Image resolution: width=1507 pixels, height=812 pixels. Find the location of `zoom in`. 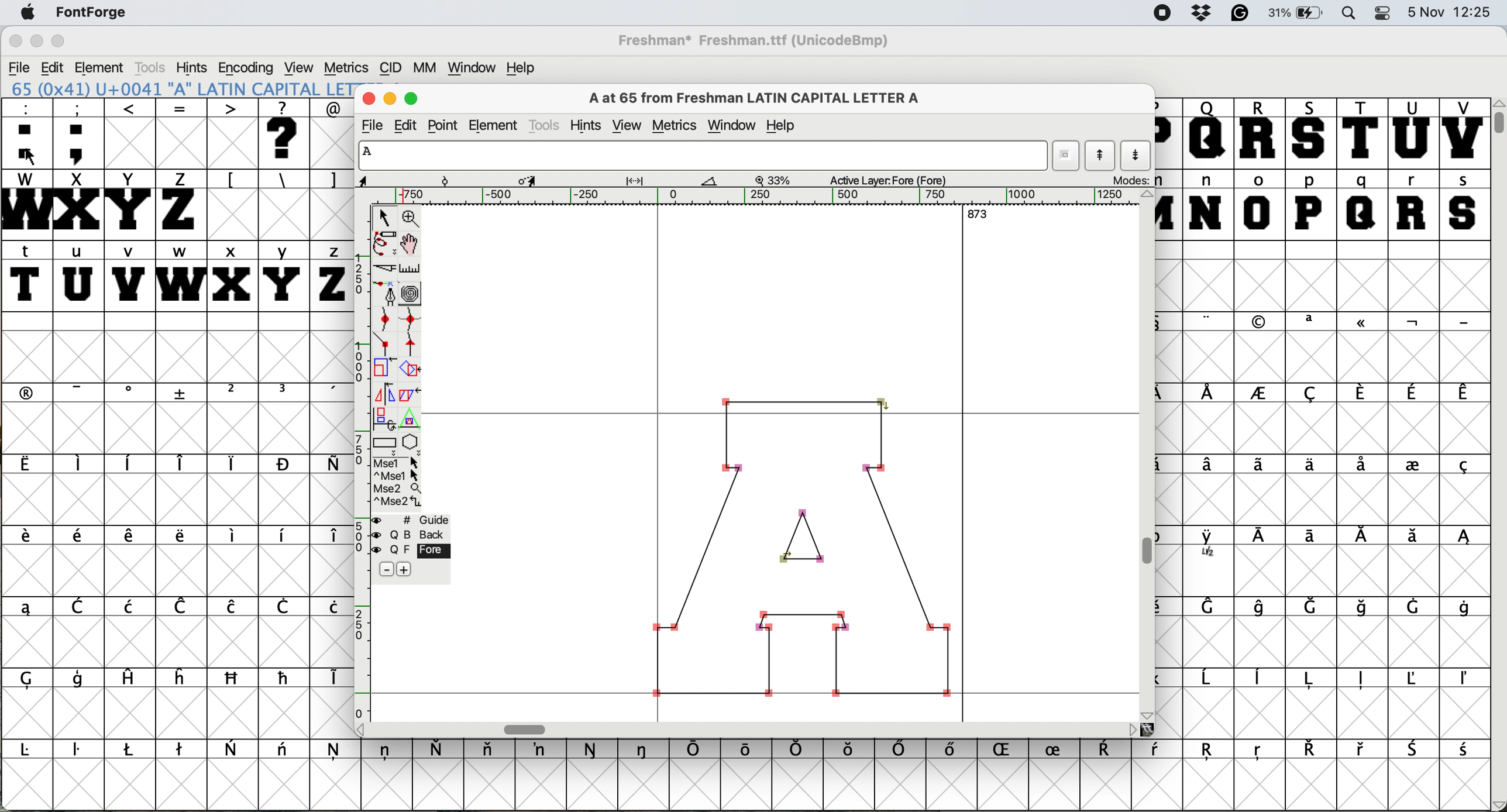

zoom in is located at coordinates (417, 216).